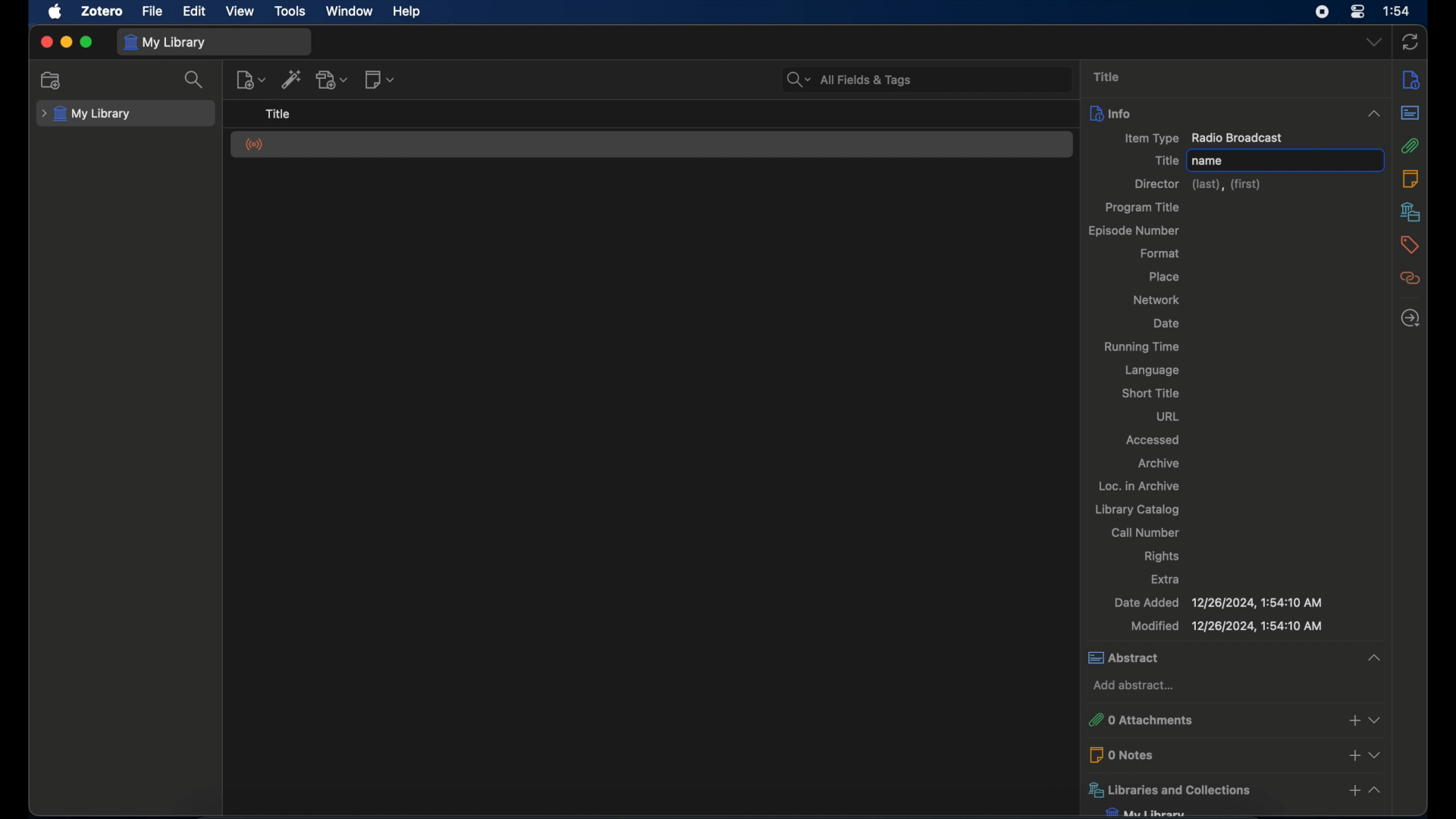 This screenshot has height=819, width=1456. Describe the element at coordinates (195, 11) in the screenshot. I see `edit` at that location.